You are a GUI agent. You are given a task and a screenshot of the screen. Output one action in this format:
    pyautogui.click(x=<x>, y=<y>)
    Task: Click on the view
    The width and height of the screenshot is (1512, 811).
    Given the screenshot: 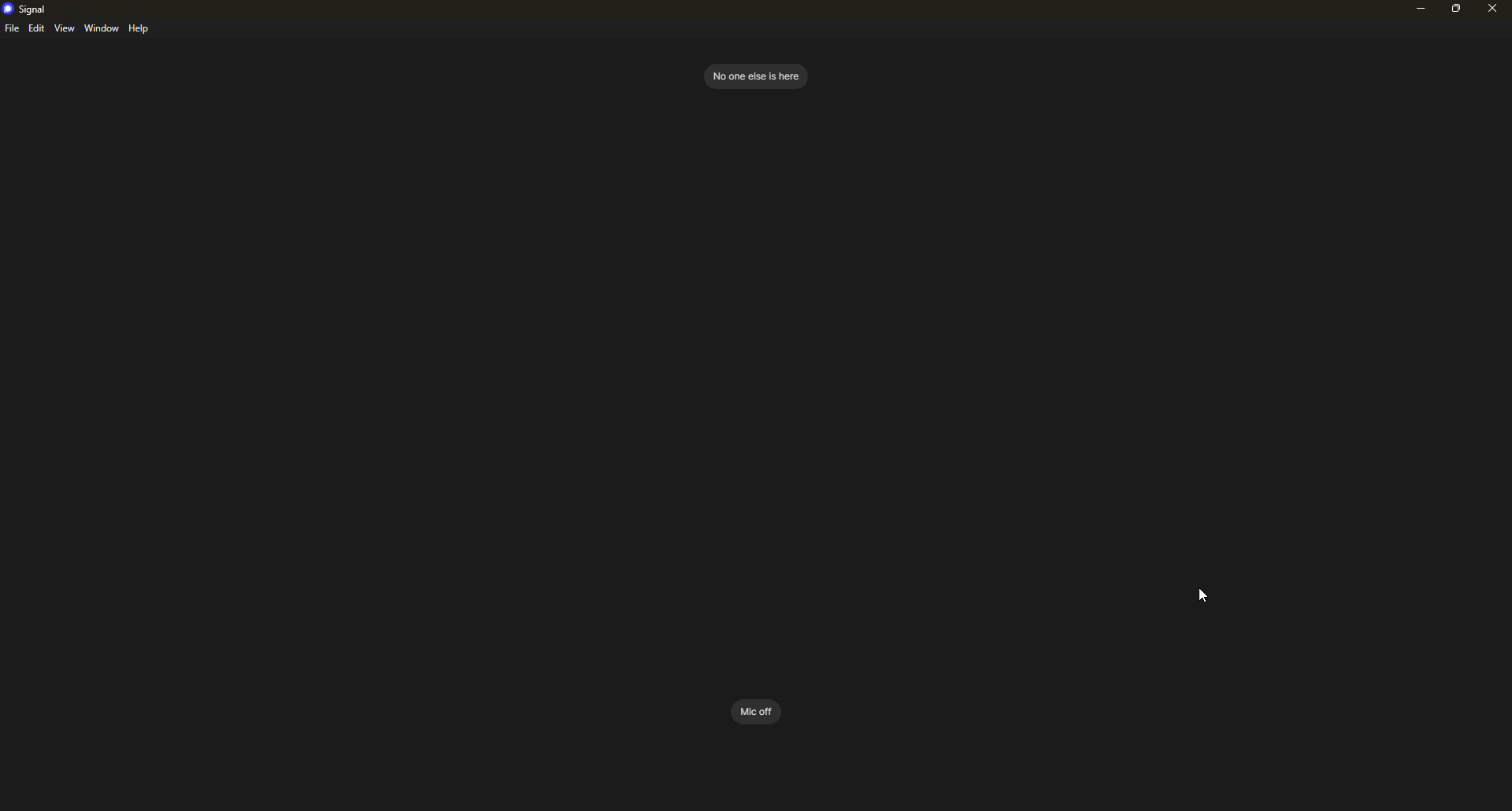 What is the action you would take?
    pyautogui.click(x=65, y=28)
    